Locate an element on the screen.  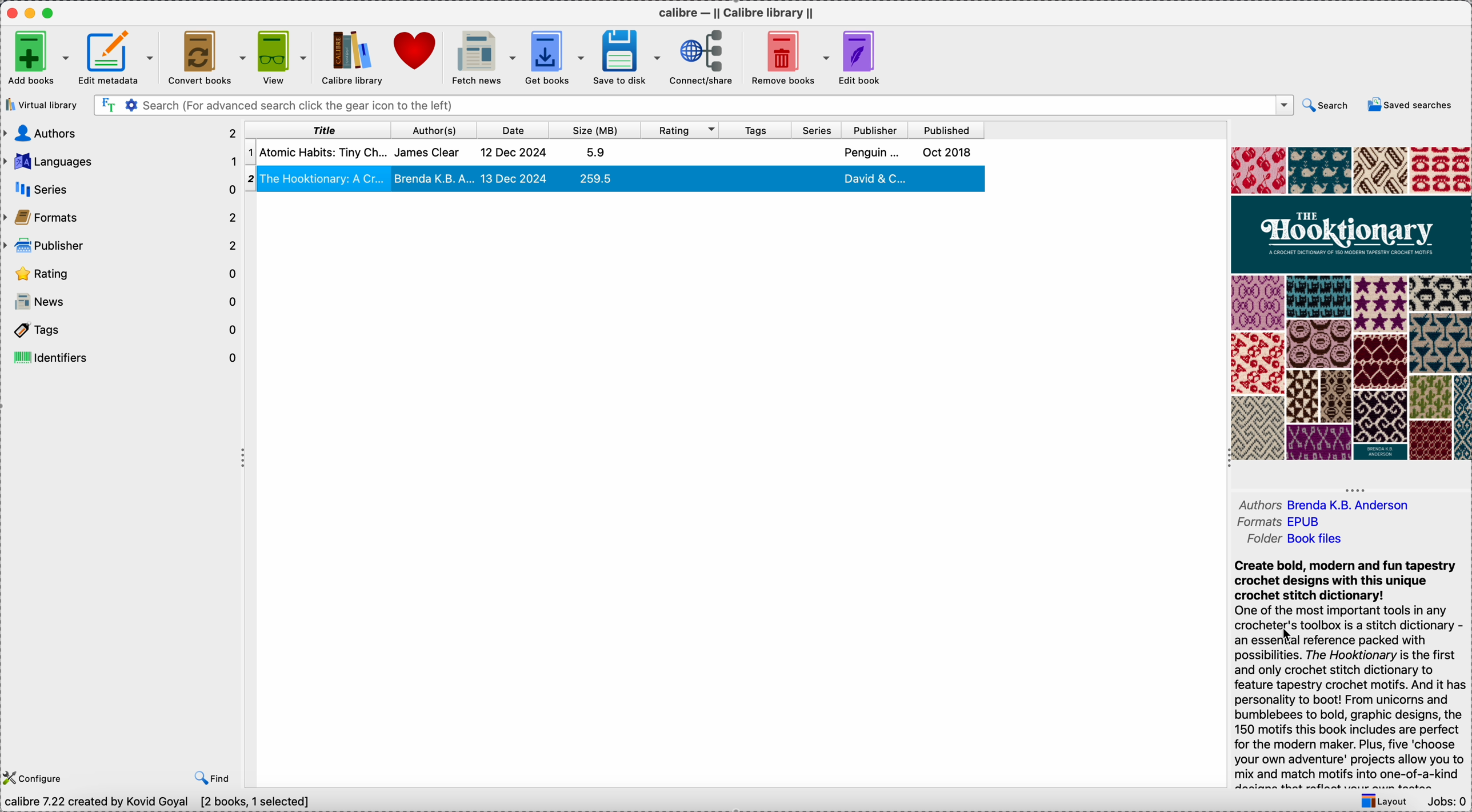
series is located at coordinates (818, 130).